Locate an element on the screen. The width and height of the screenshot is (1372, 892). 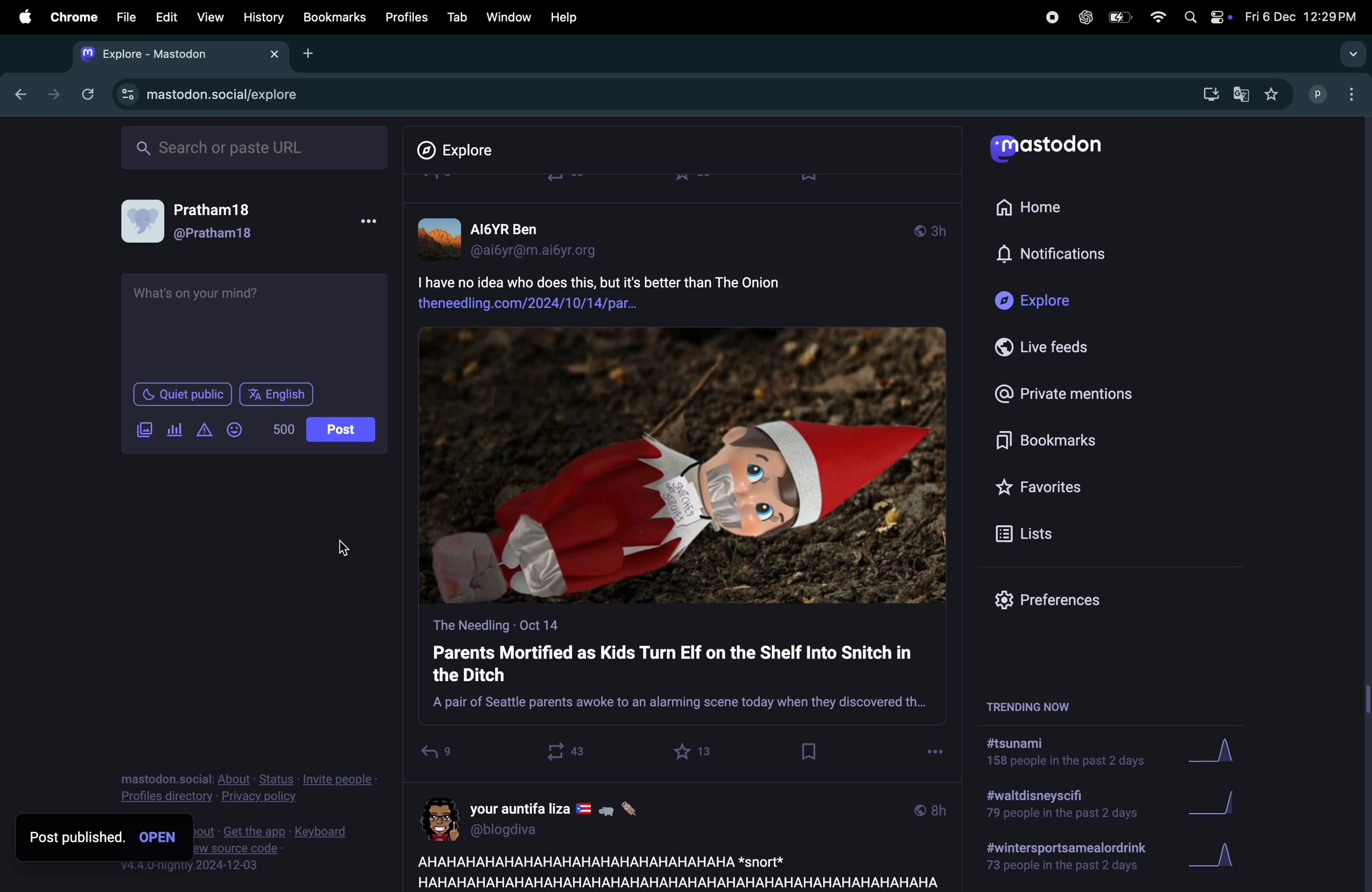
user profile is located at coordinates (550, 817).